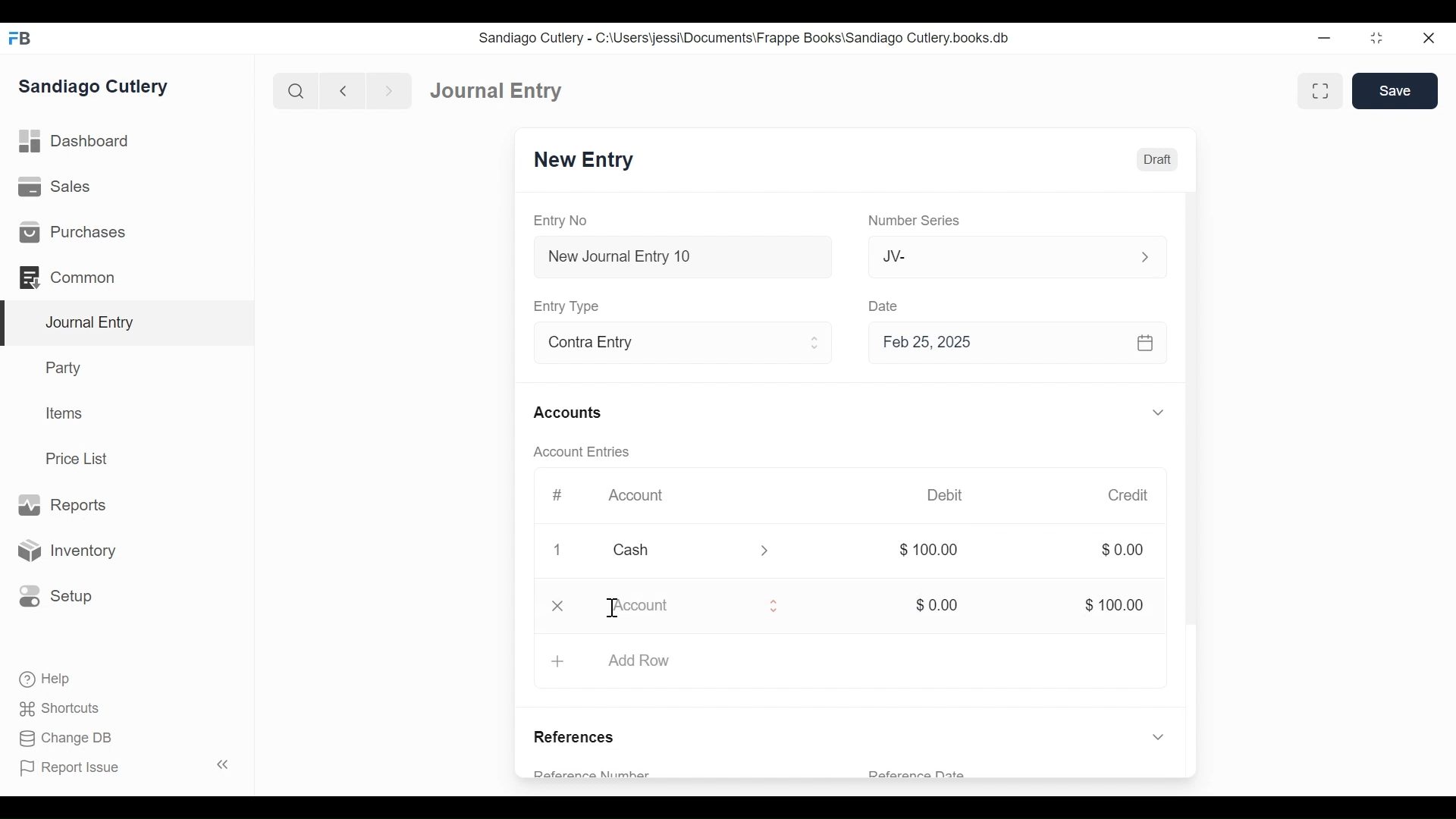 The height and width of the screenshot is (819, 1456). Describe the element at coordinates (1131, 497) in the screenshot. I see `Credit` at that location.